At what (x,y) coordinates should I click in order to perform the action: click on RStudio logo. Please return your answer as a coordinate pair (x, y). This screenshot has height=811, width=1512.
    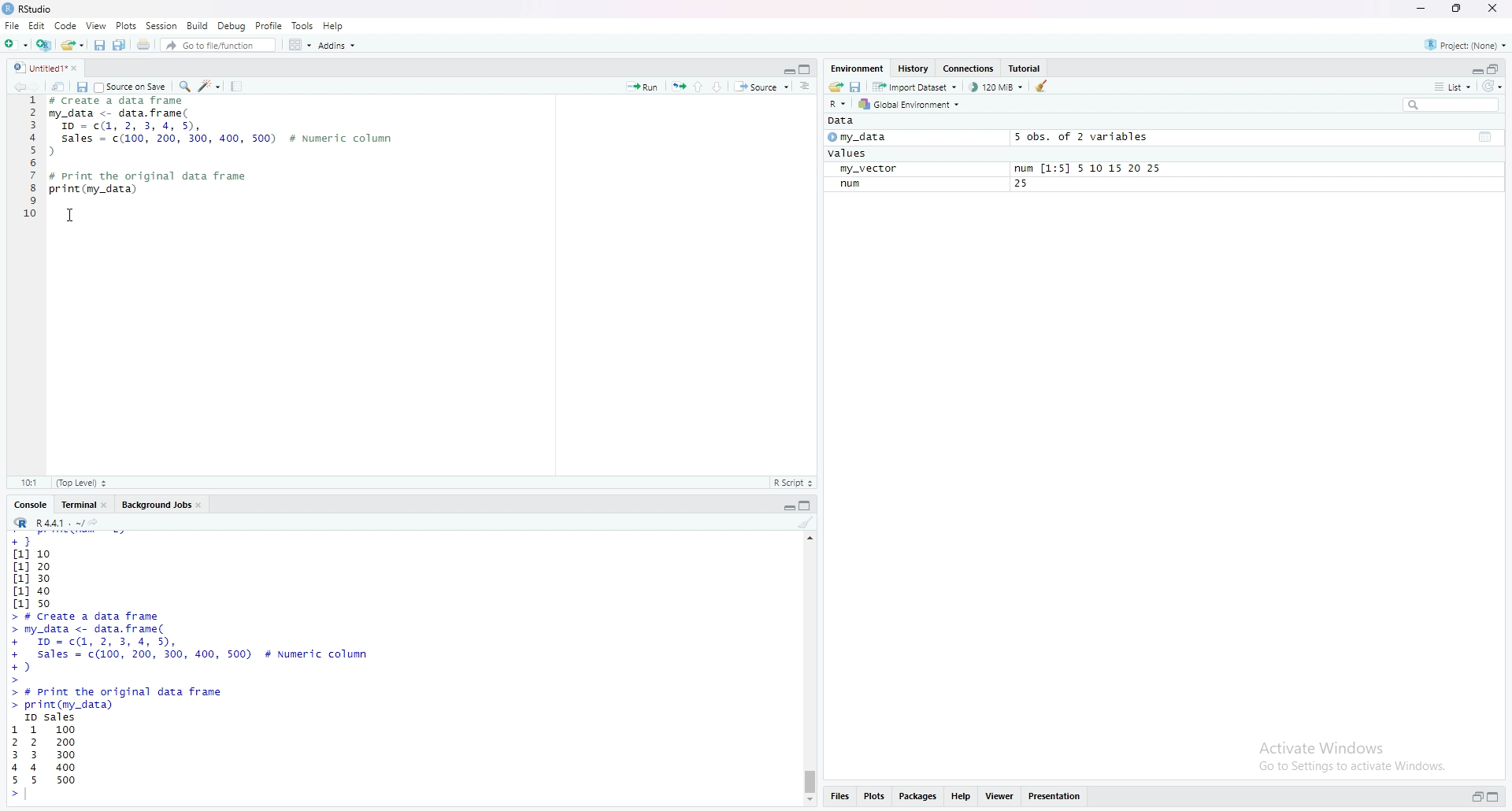
    Looking at the image, I should click on (9, 9).